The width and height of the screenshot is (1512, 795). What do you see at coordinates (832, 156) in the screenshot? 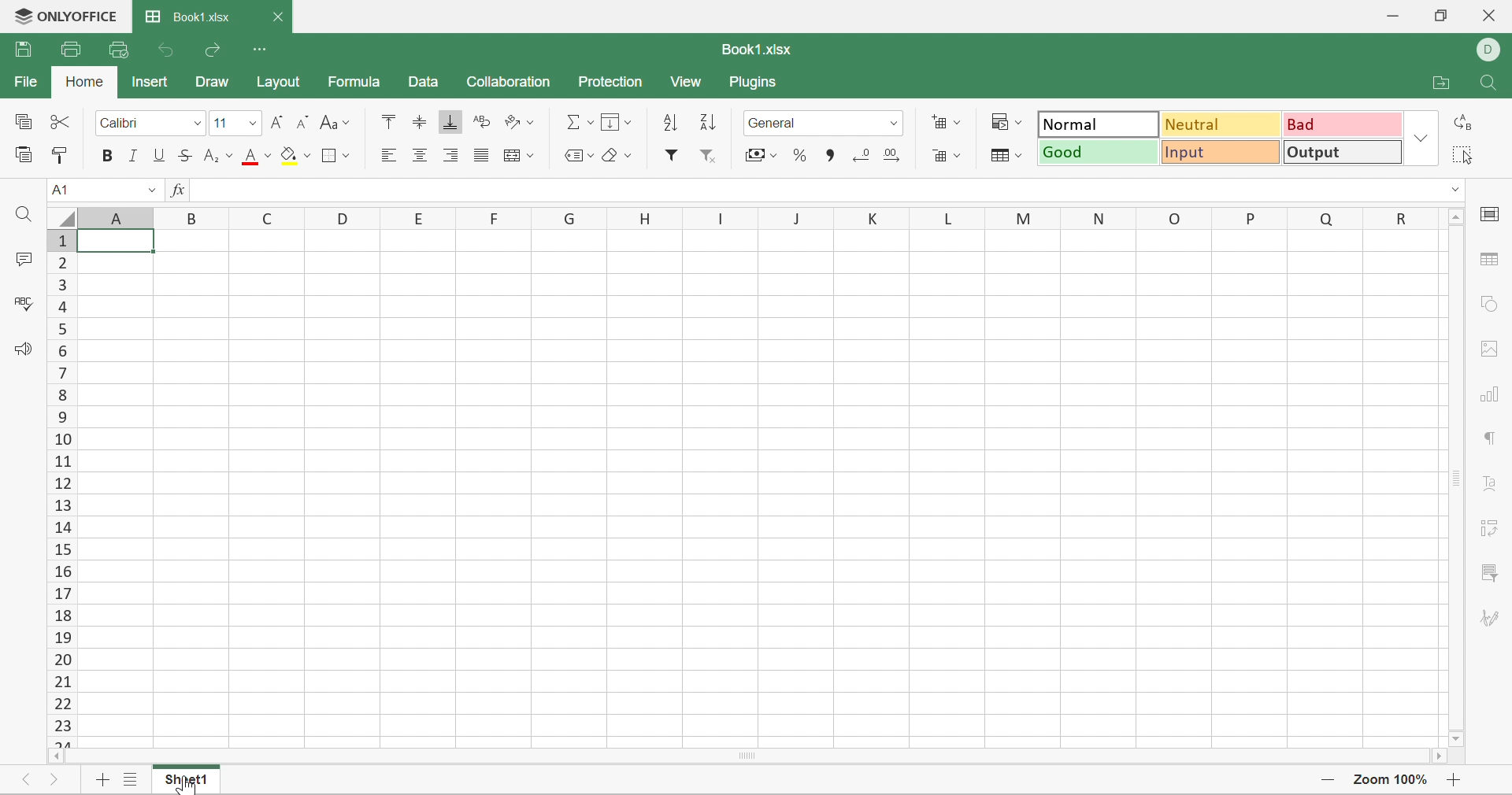
I see `Comma style` at bounding box center [832, 156].